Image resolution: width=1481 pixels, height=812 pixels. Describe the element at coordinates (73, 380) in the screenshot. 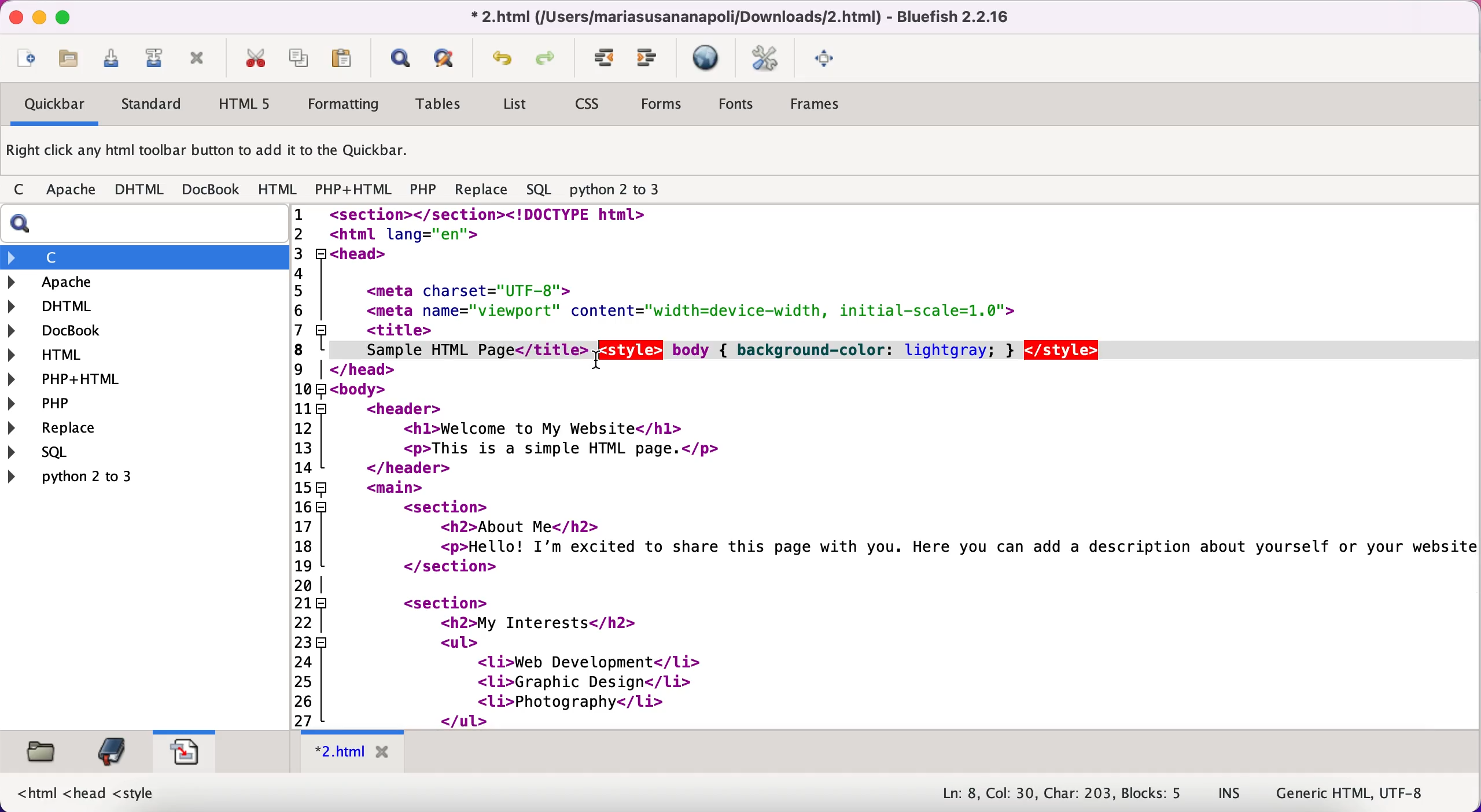

I see `php+html` at that location.